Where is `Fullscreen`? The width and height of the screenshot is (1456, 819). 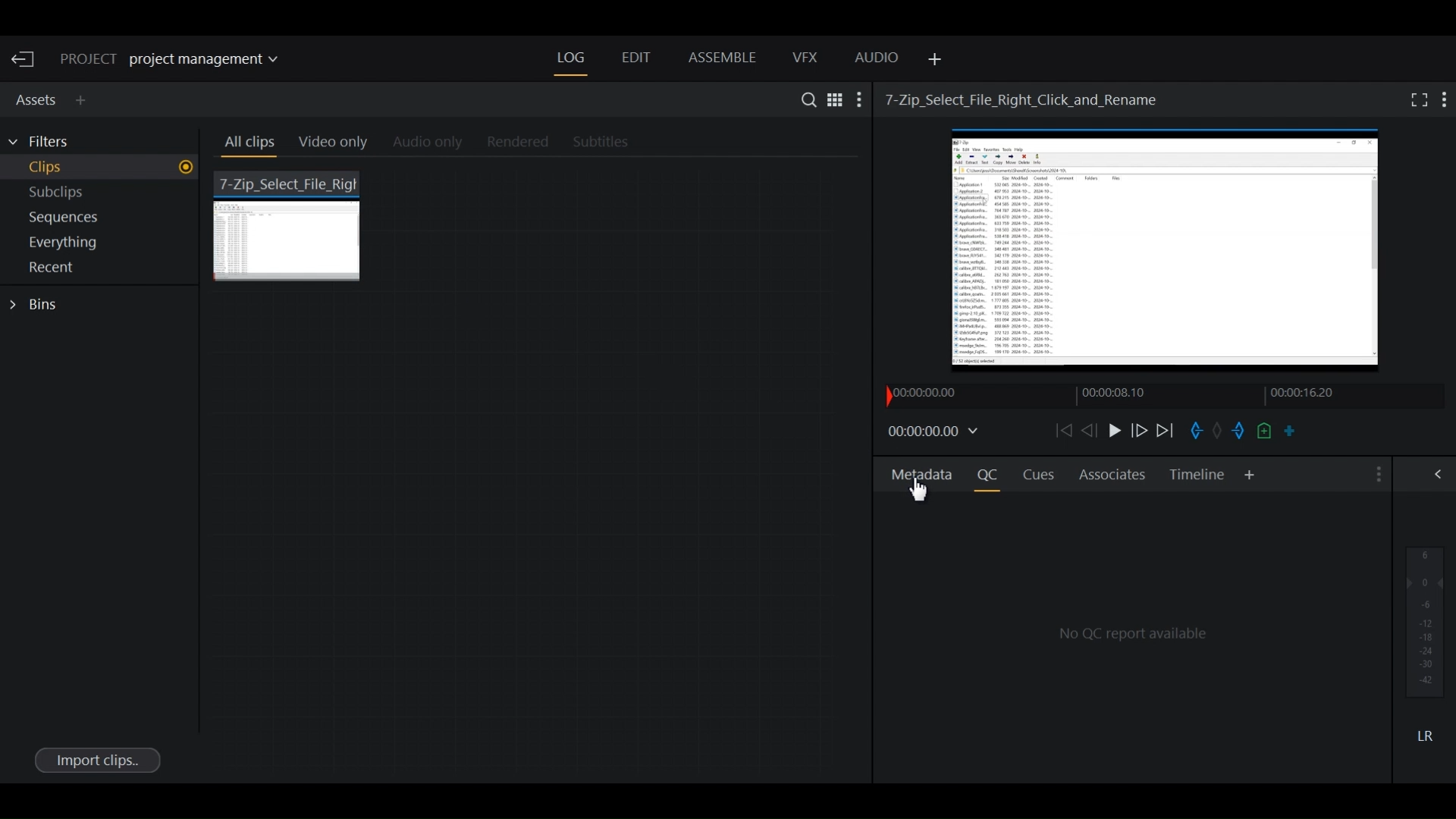
Fullscreen is located at coordinates (1416, 99).